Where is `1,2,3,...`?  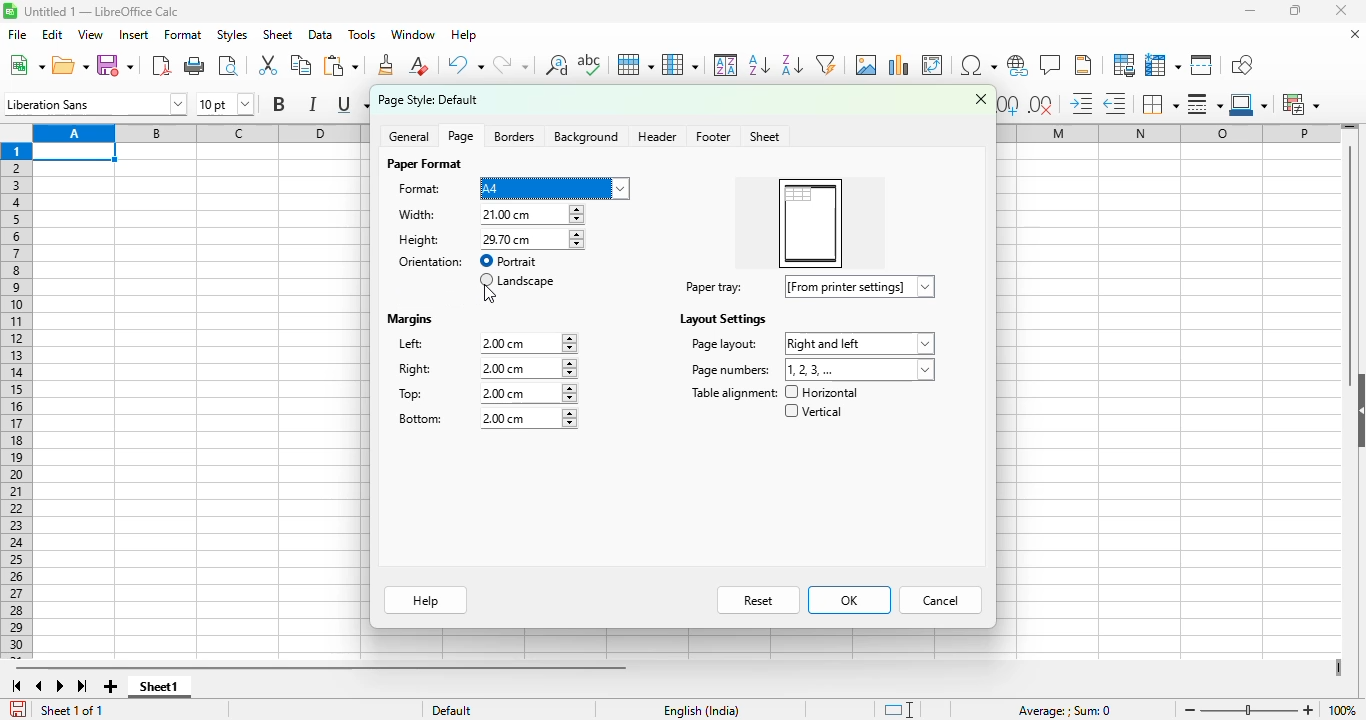 1,2,3,... is located at coordinates (861, 370).